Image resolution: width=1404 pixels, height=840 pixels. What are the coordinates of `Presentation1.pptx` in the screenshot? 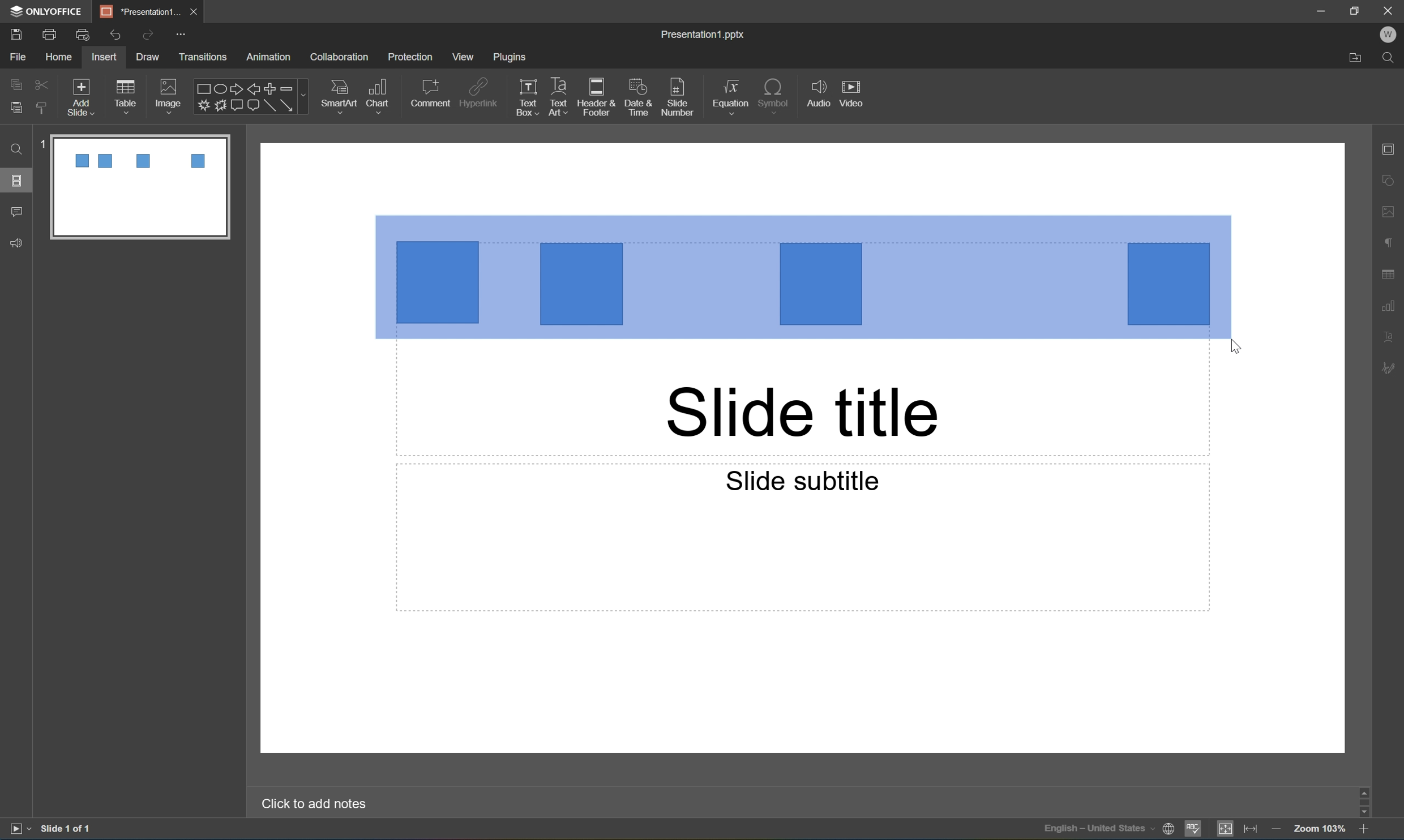 It's located at (704, 36).